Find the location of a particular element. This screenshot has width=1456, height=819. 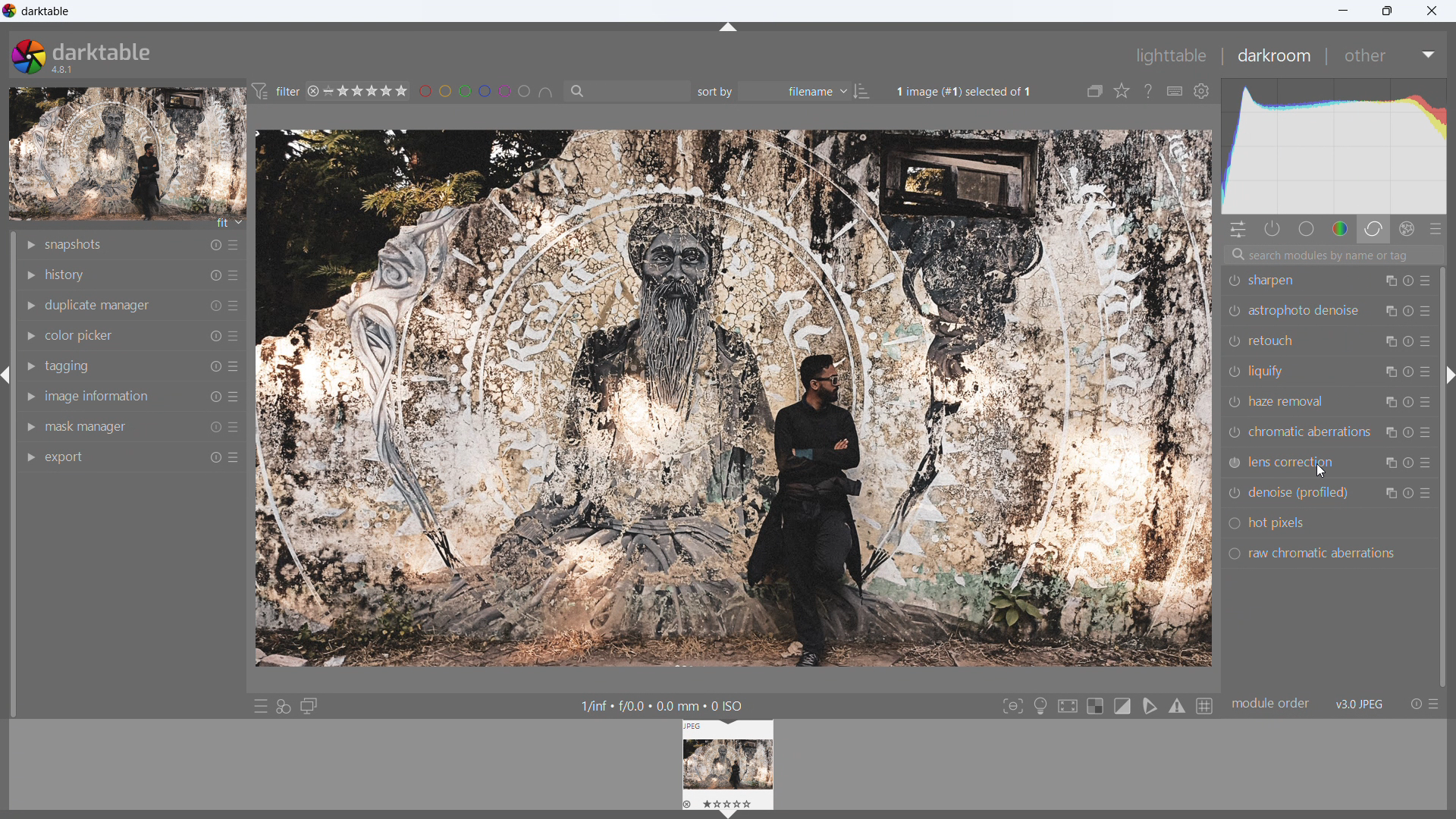

reset is located at coordinates (215, 454).